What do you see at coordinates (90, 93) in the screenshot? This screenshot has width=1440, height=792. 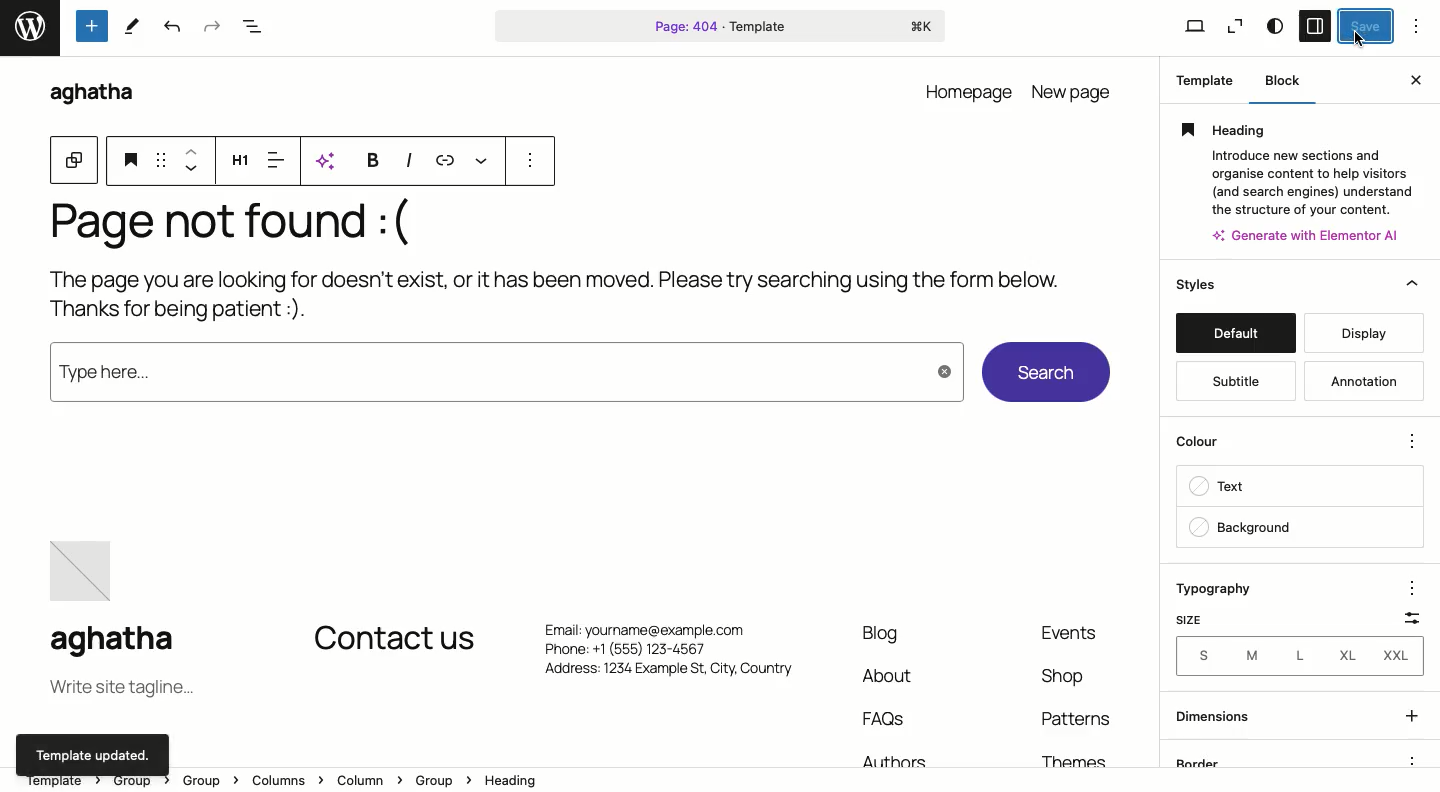 I see `aghatha` at bounding box center [90, 93].